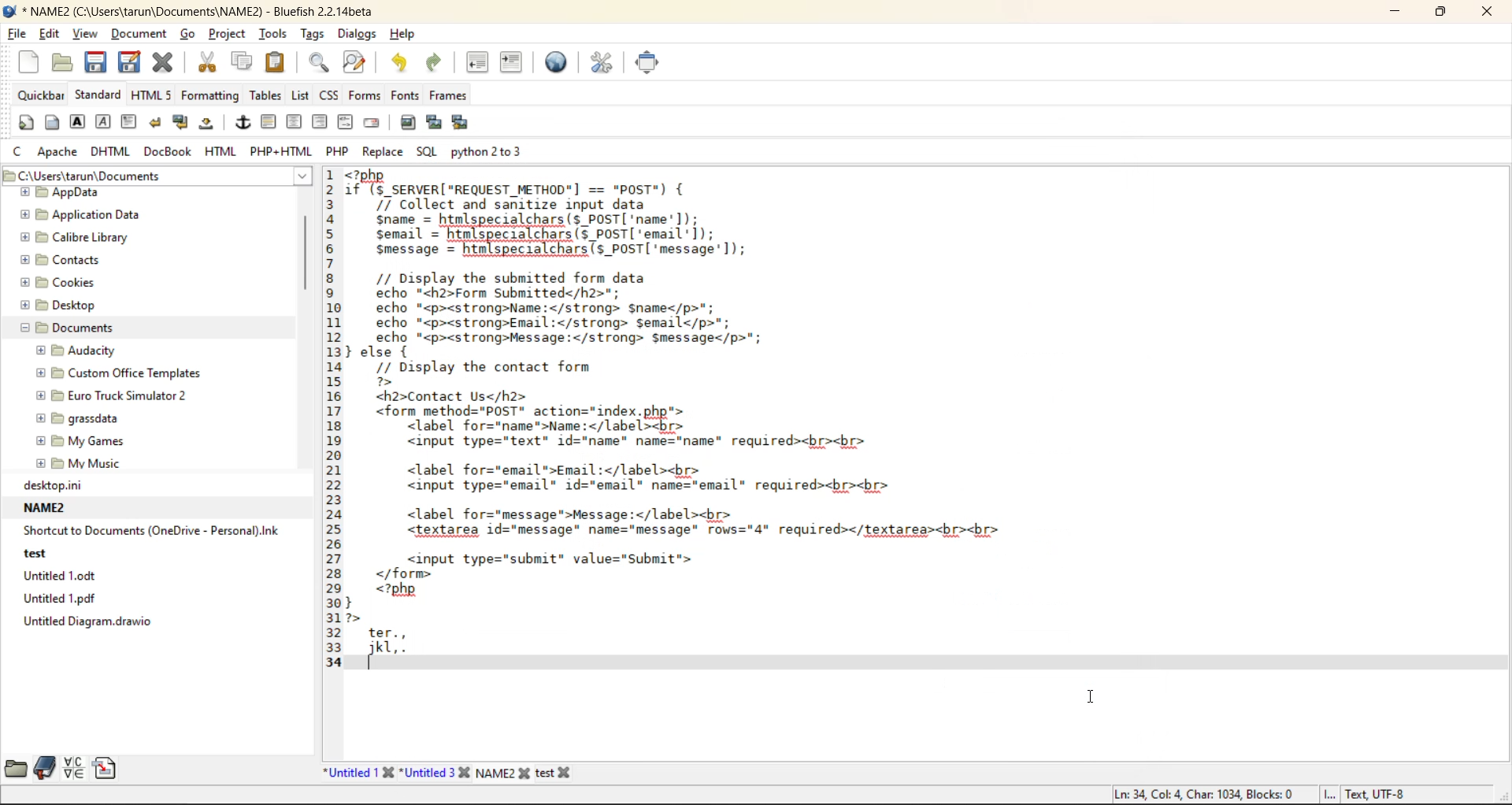  Describe the element at coordinates (406, 35) in the screenshot. I see `help` at that location.